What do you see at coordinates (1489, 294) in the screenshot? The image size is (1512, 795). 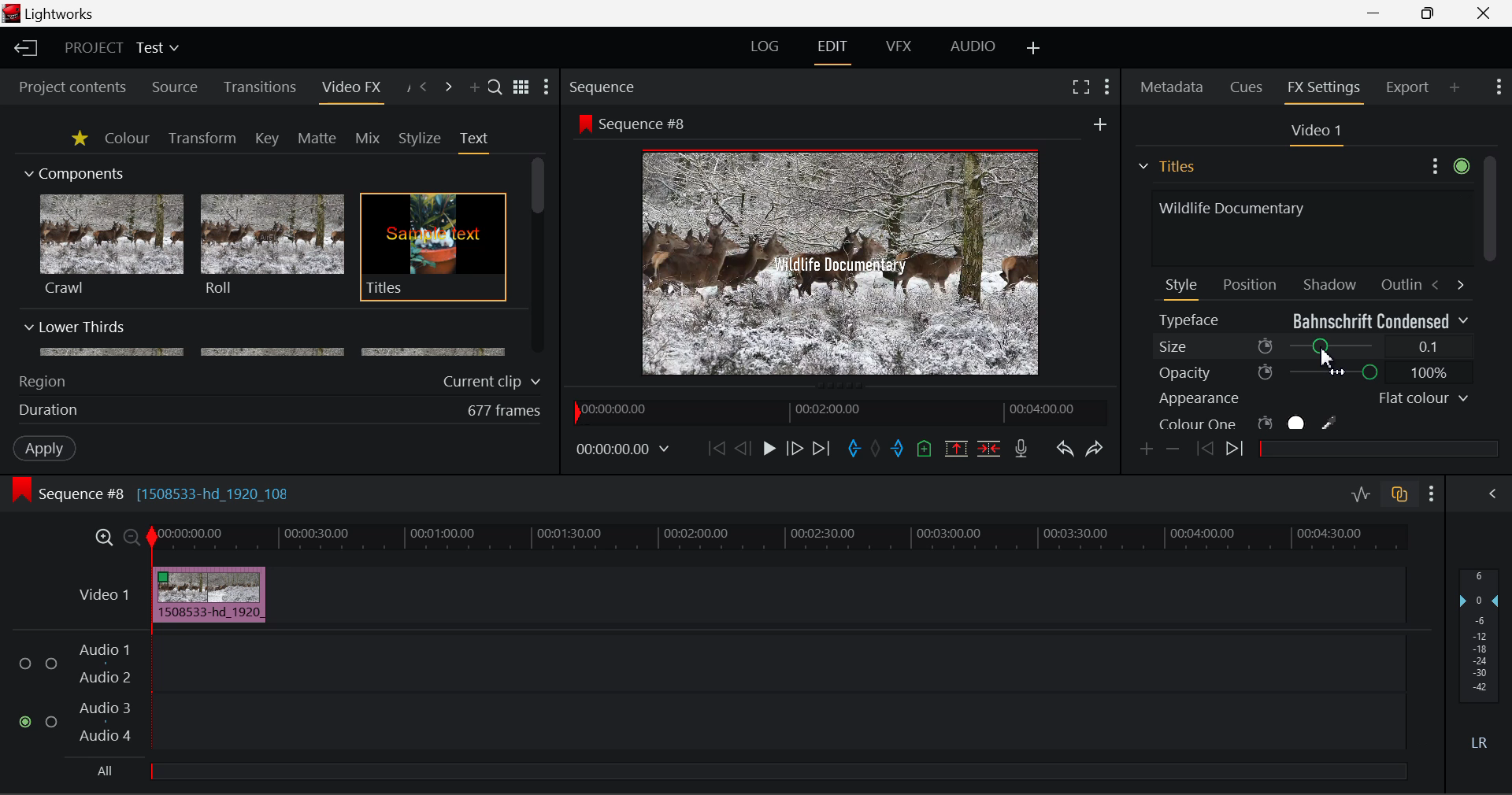 I see `Scroll Bar` at bounding box center [1489, 294].